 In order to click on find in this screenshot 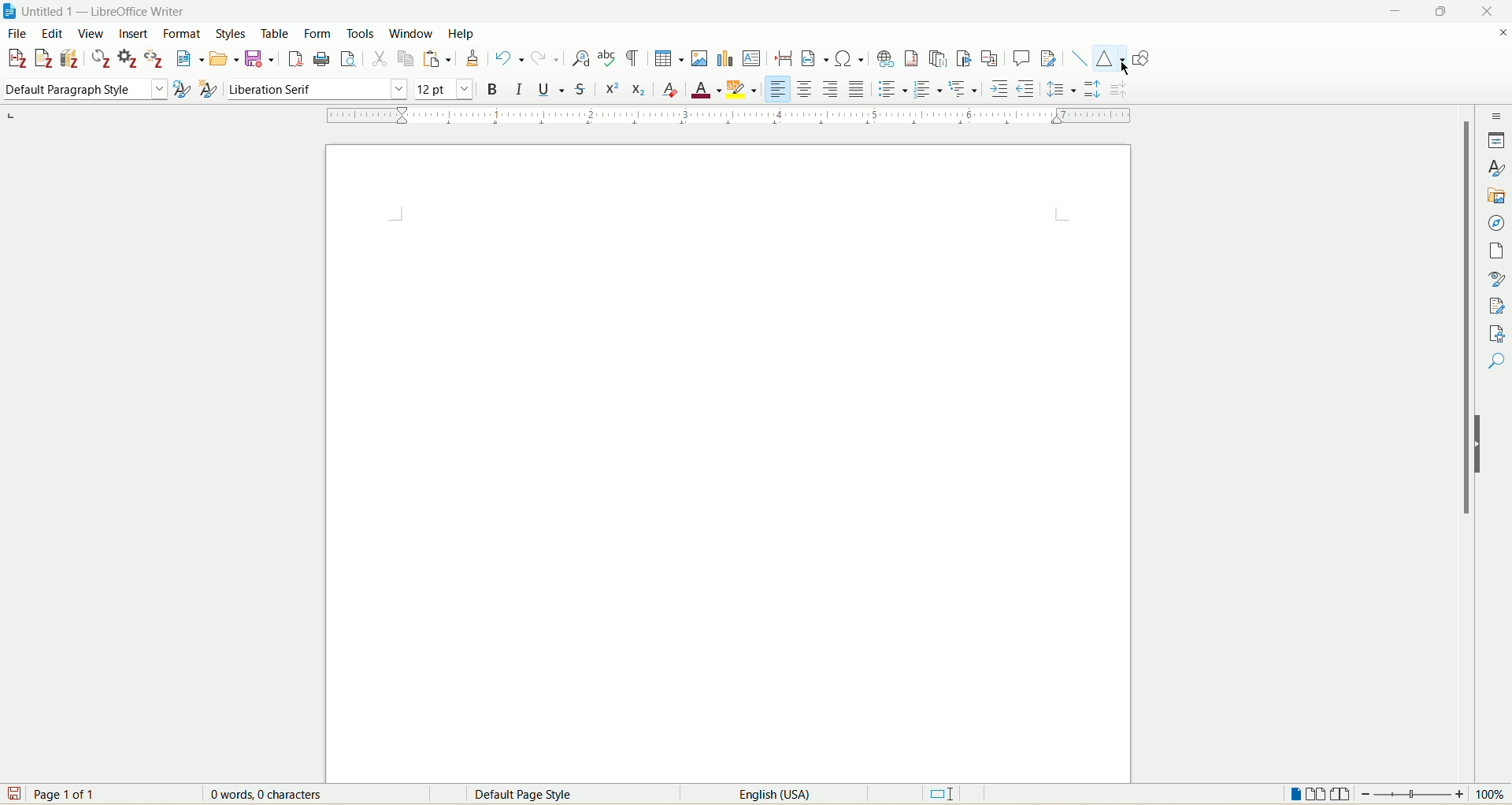, I will do `click(1497, 362)`.